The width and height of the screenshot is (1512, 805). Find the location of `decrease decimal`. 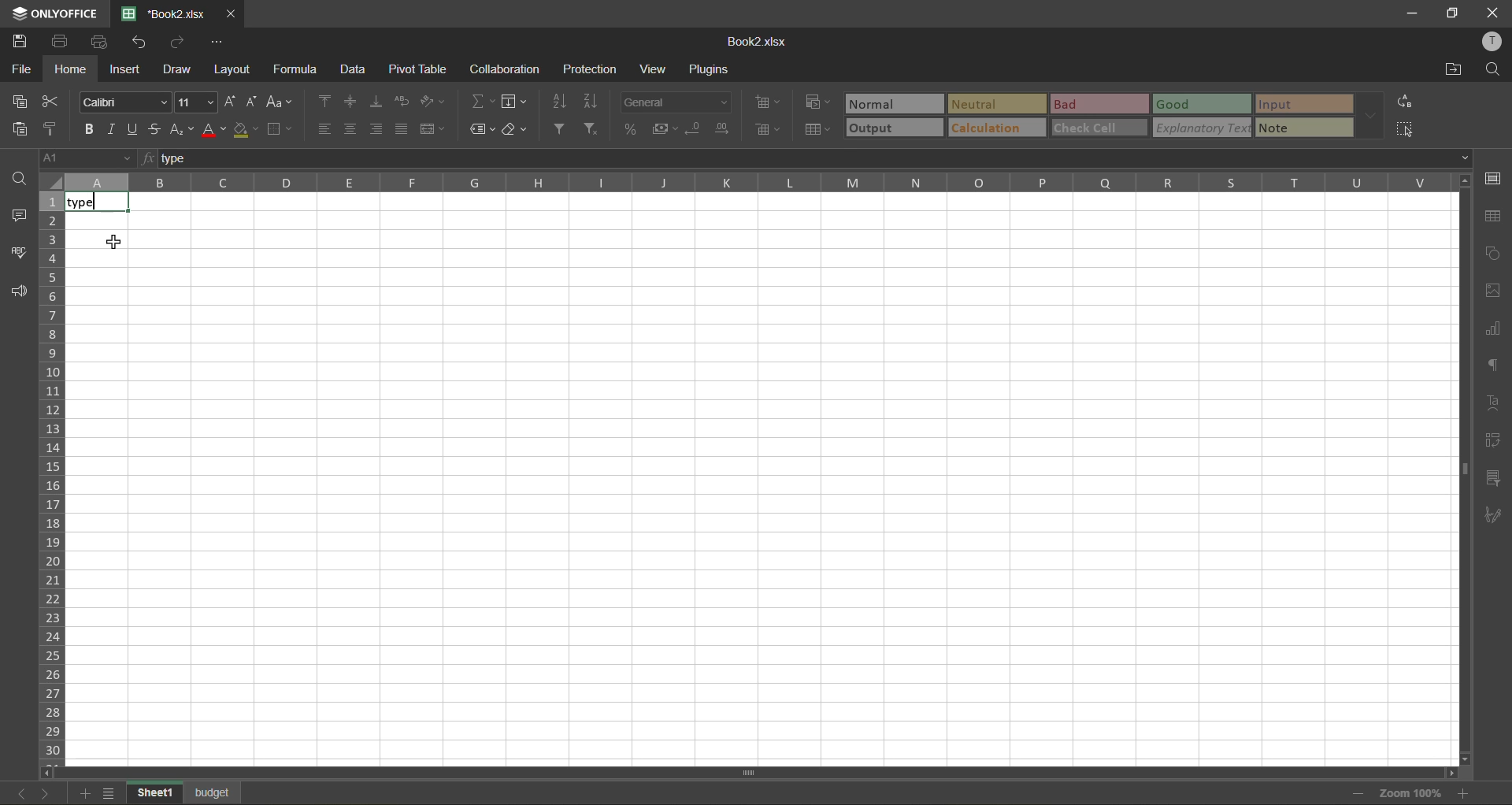

decrease decimal is located at coordinates (693, 129).